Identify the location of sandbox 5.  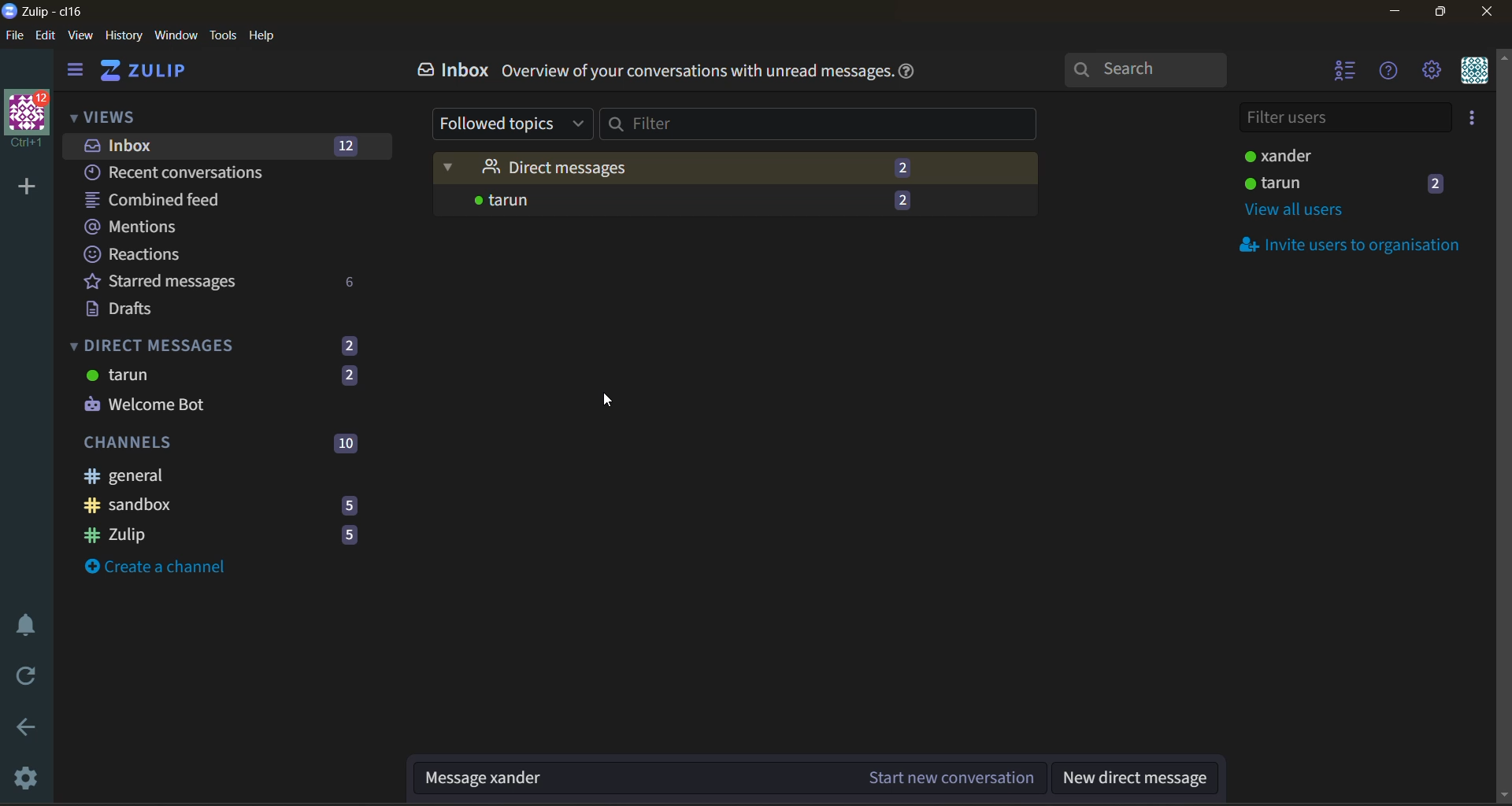
(221, 509).